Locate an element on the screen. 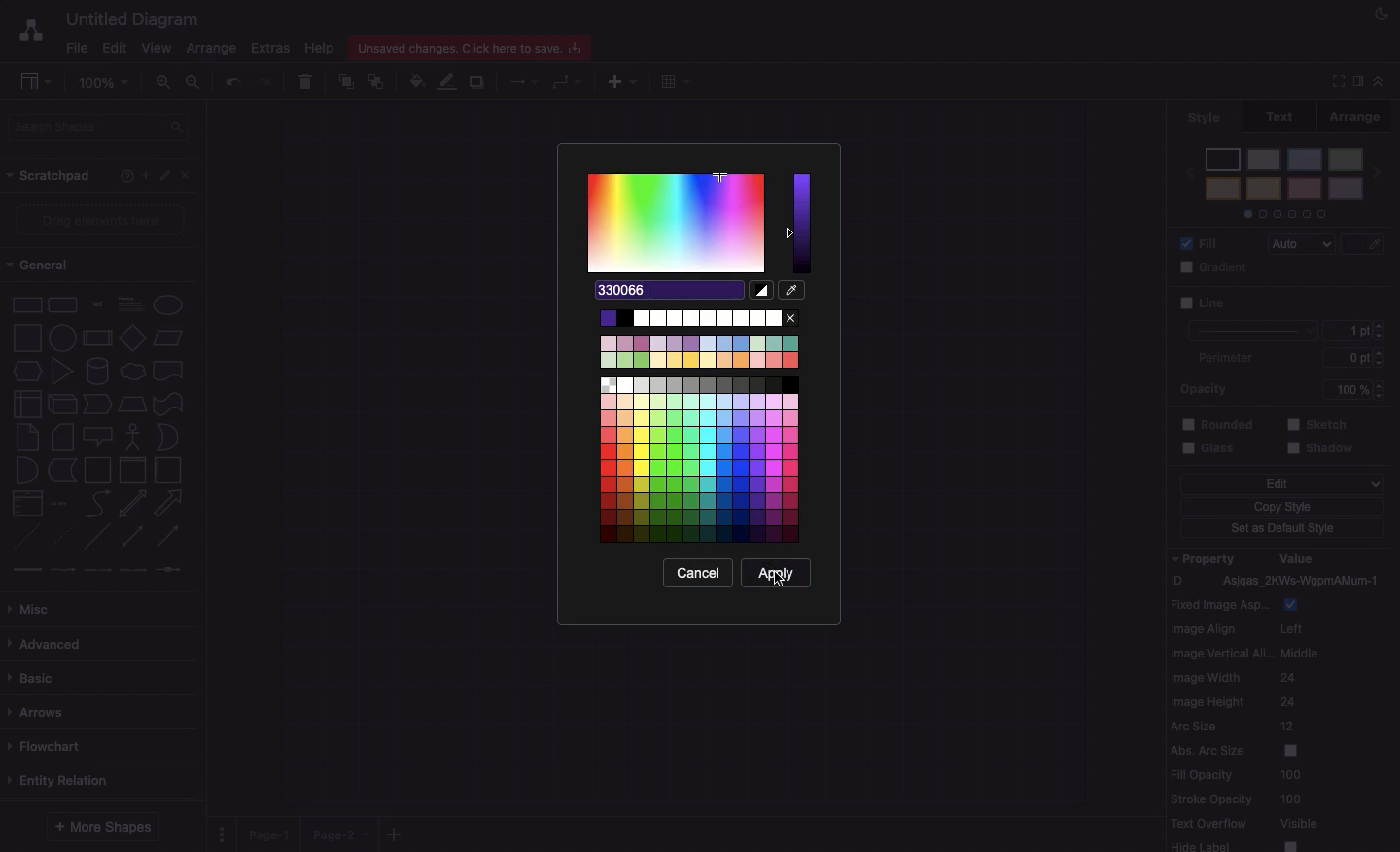 The image size is (1400, 852). Arrows is located at coordinates (518, 80).